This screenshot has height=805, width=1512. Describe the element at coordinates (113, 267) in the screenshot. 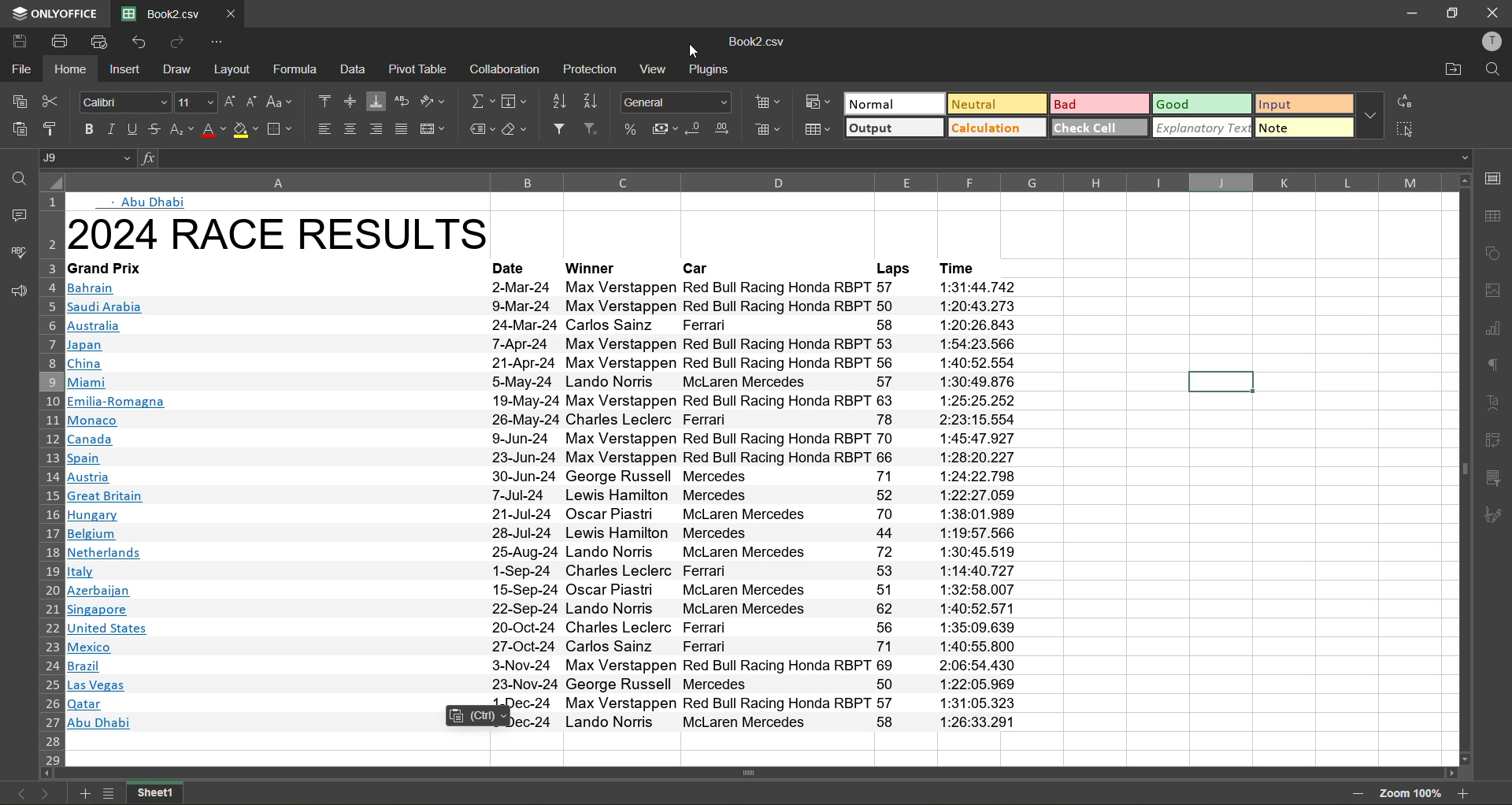

I see `text` at that location.